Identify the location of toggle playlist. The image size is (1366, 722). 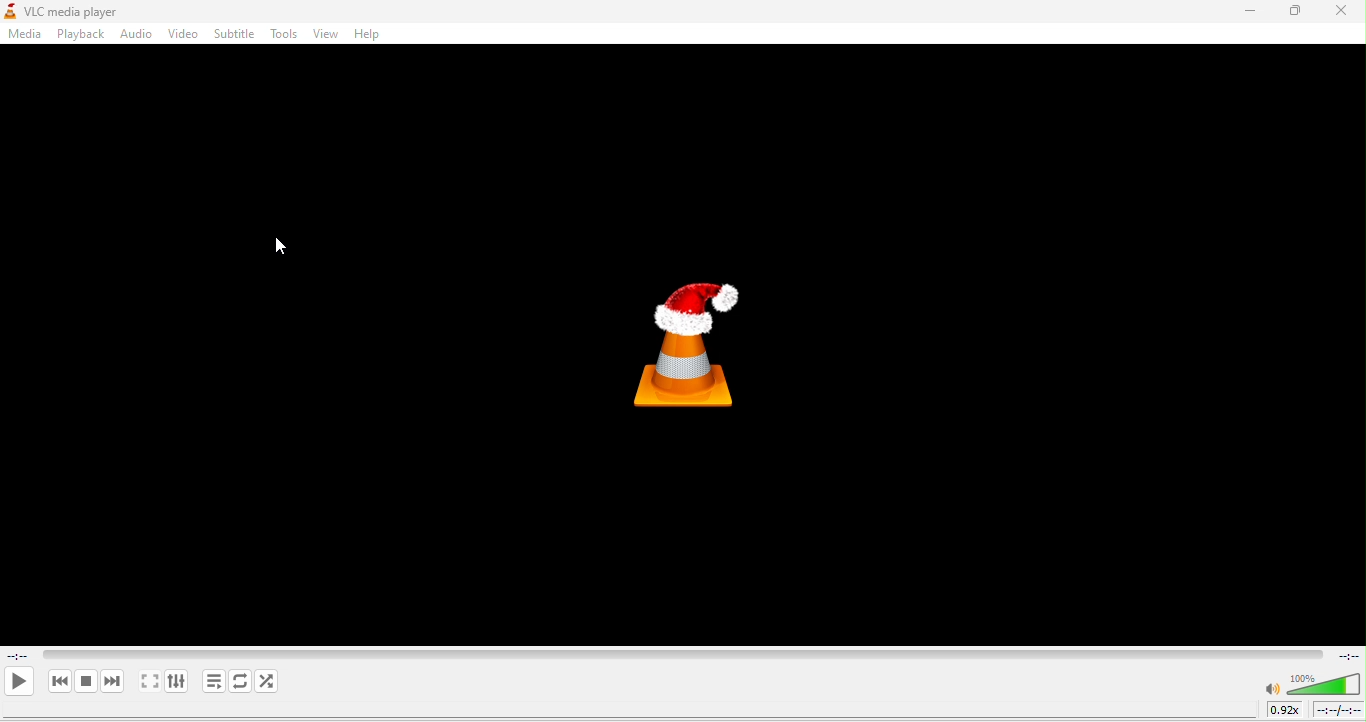
(214, 681).